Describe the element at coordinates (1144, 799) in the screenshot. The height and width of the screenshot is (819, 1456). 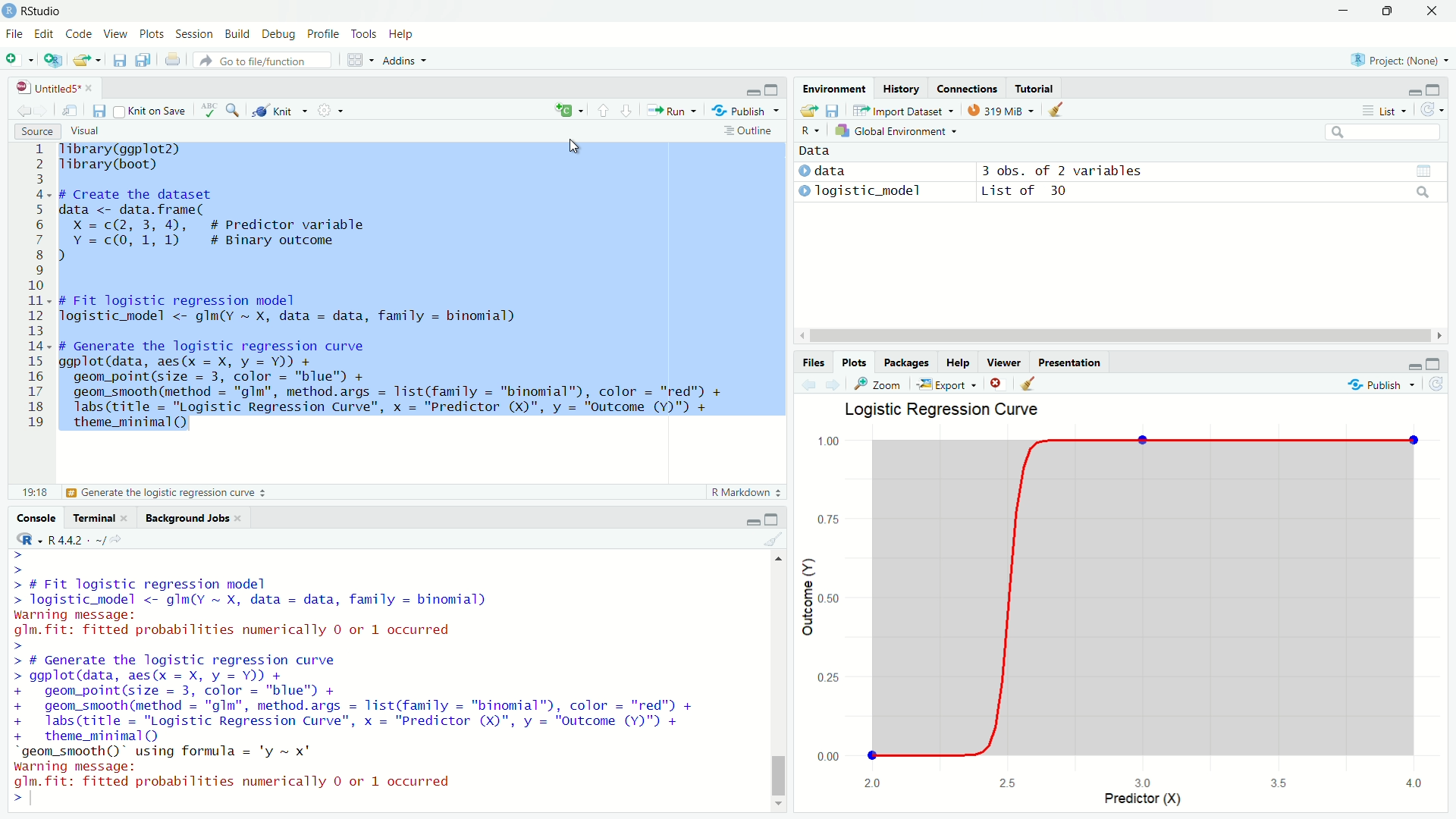
I see `Predictor (X)` at that location.